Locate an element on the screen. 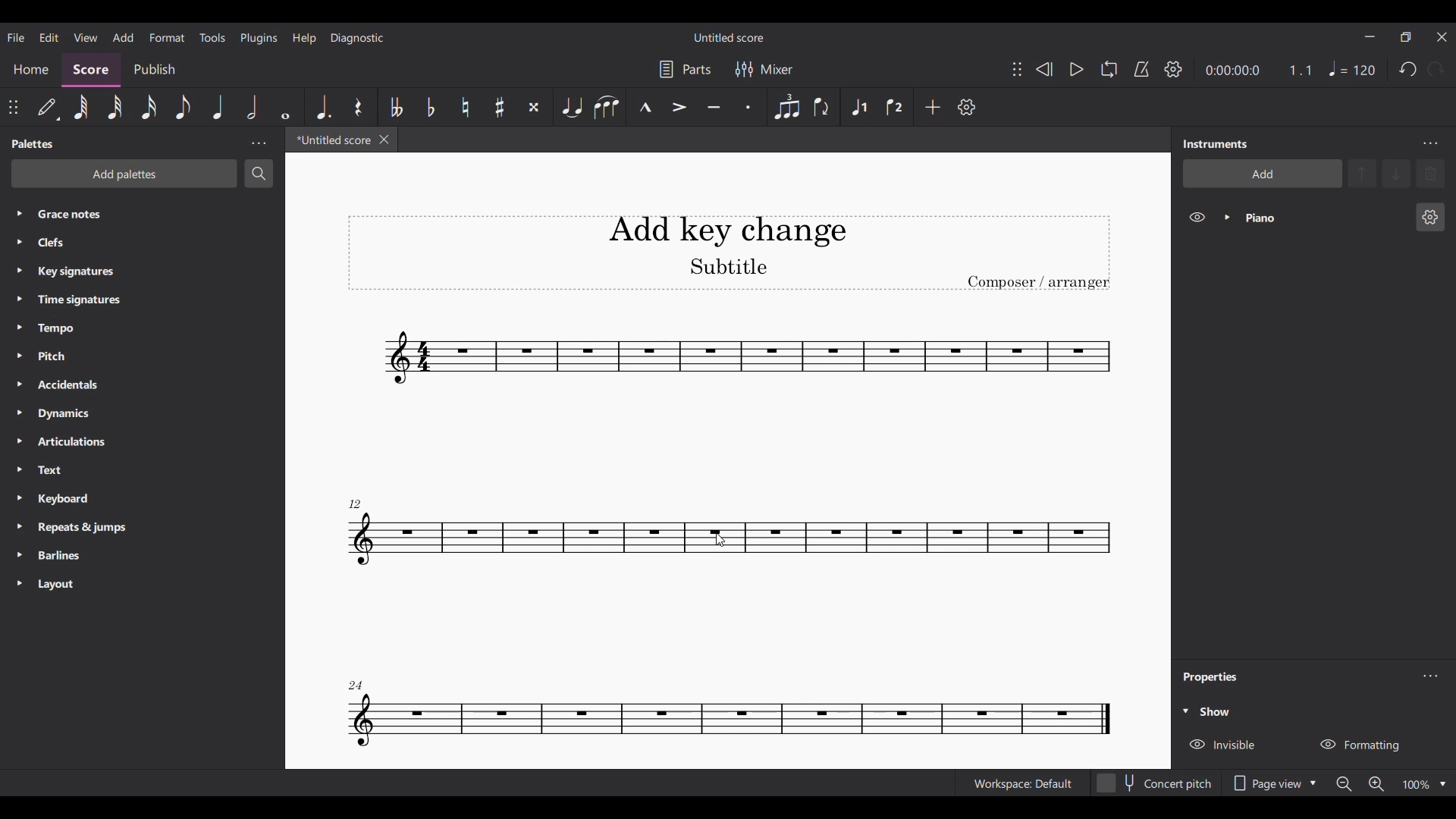 The width and height of the screenshot is (1456, 819). Edit menu is located at coordinates (49, 37).